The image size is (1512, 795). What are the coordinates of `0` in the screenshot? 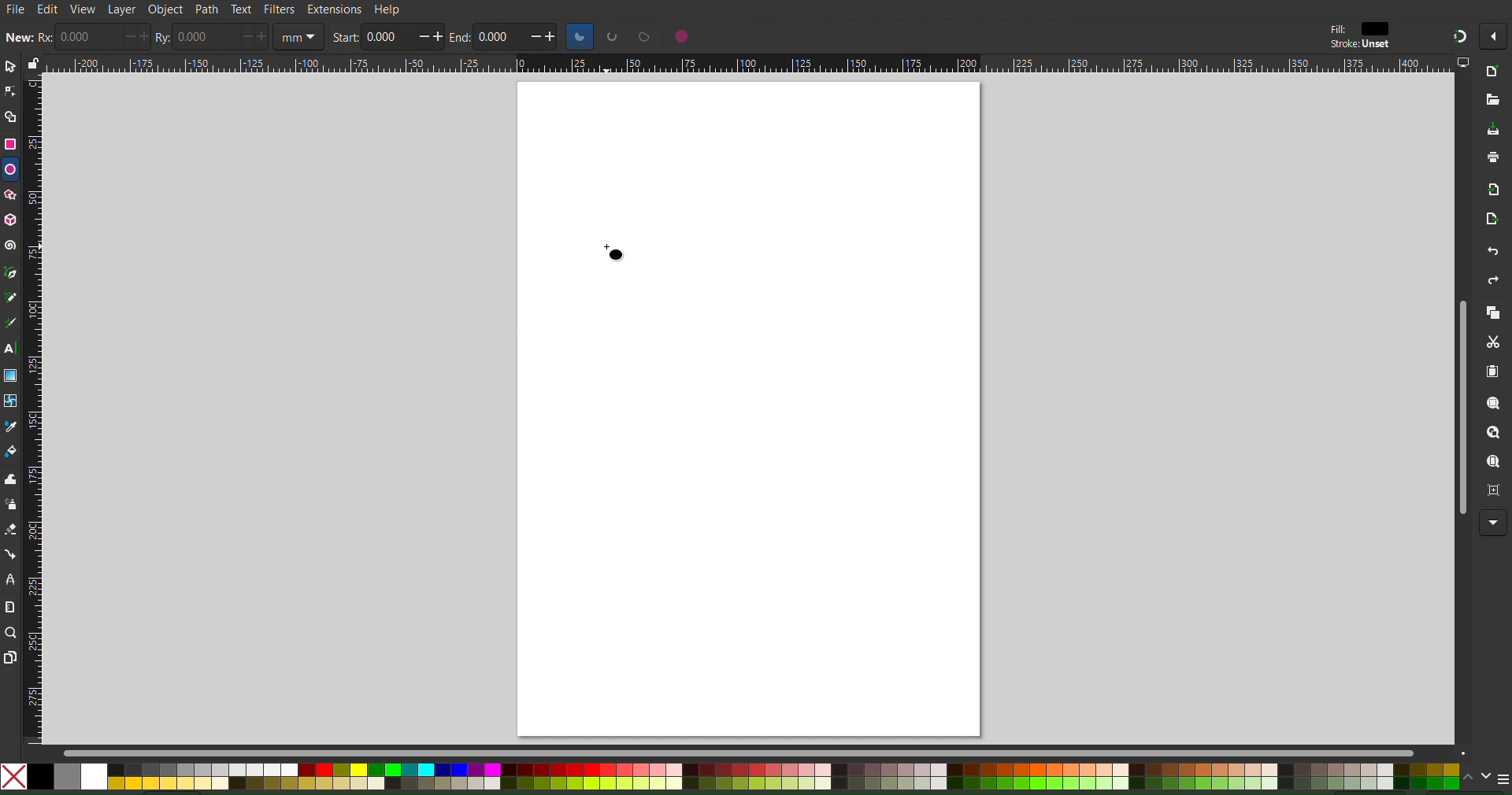 It's located at (499, 37).